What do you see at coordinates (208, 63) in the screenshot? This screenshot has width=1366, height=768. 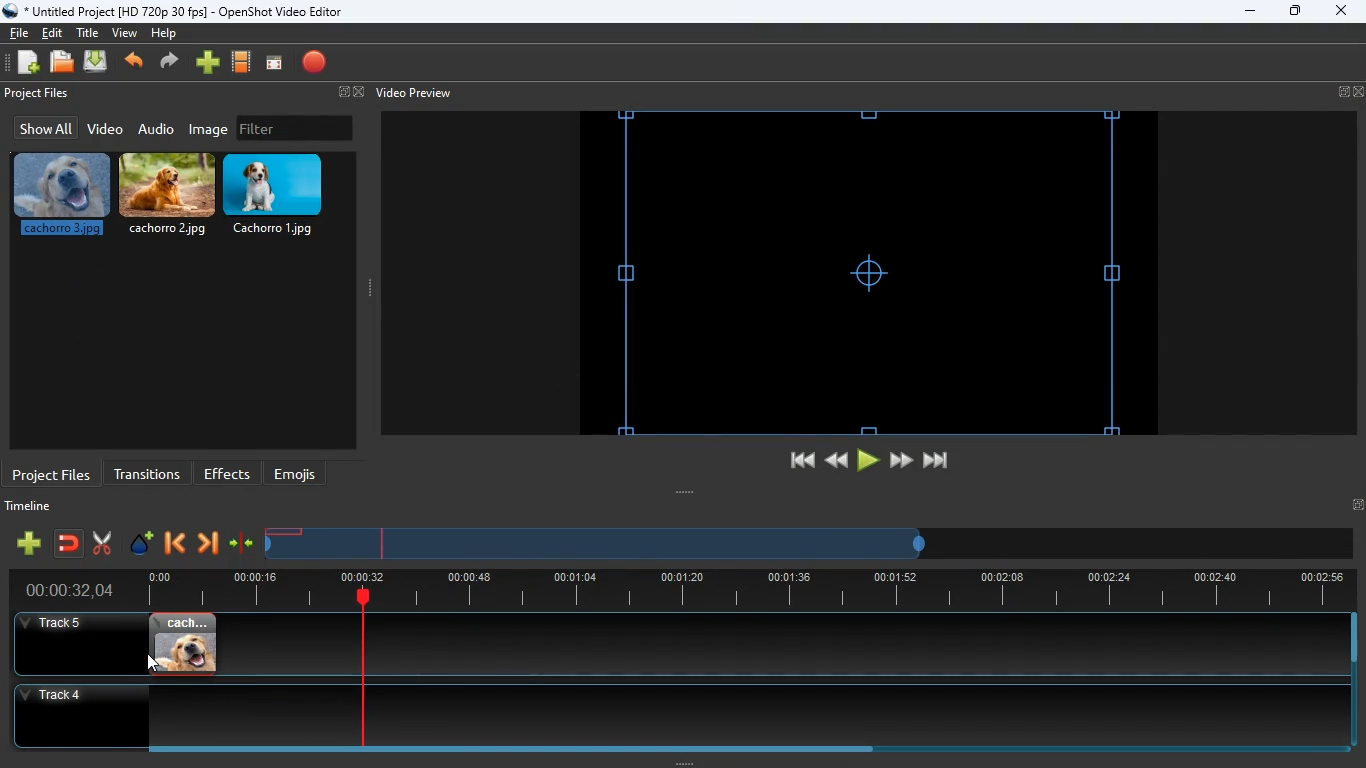 I see `add` at bounding box center [208, 63].